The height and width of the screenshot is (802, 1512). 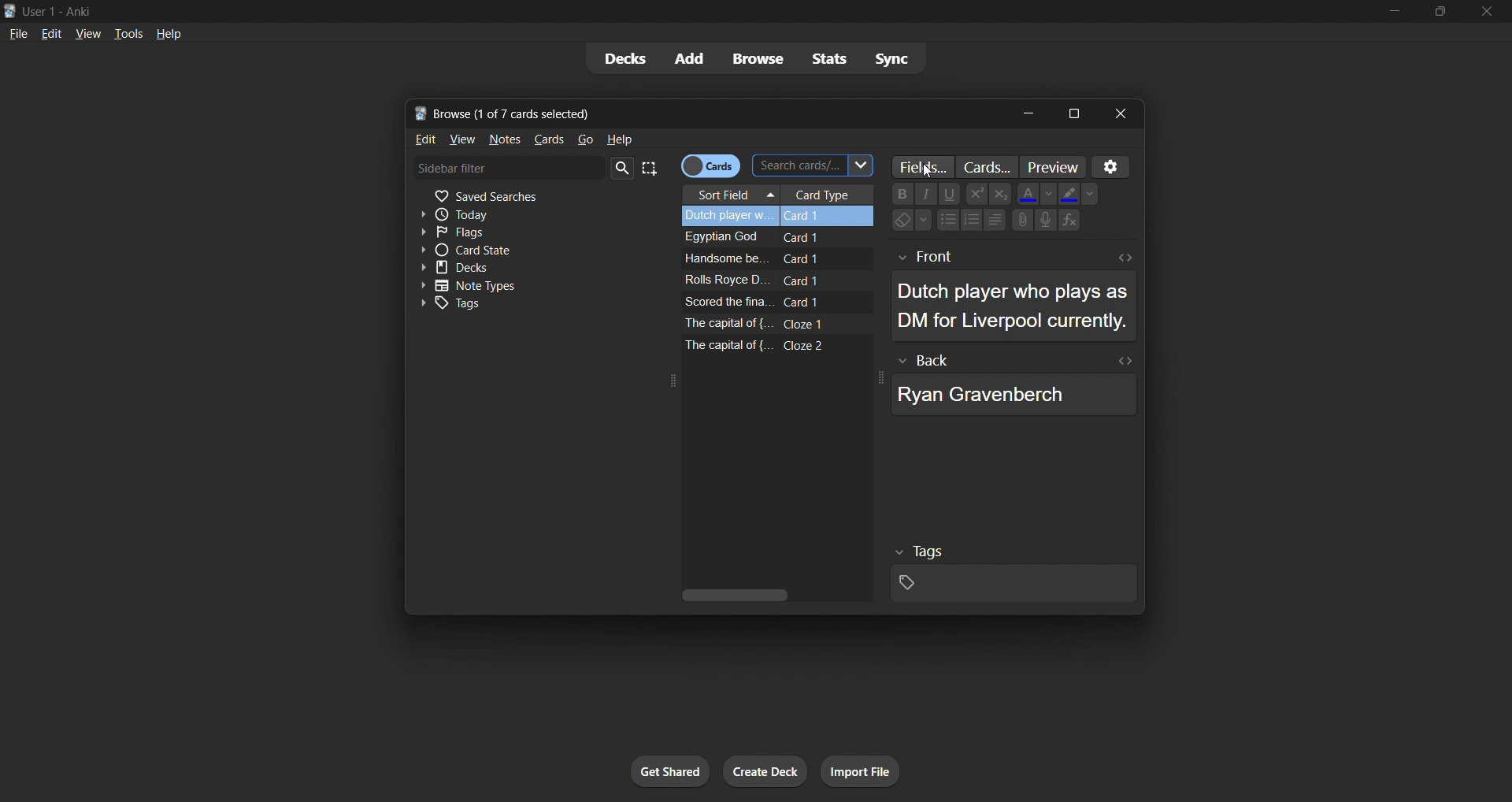 What do you see at coordinates (865, 770) in the screenshot?
I see `import file` at bounding box center [865, 770].